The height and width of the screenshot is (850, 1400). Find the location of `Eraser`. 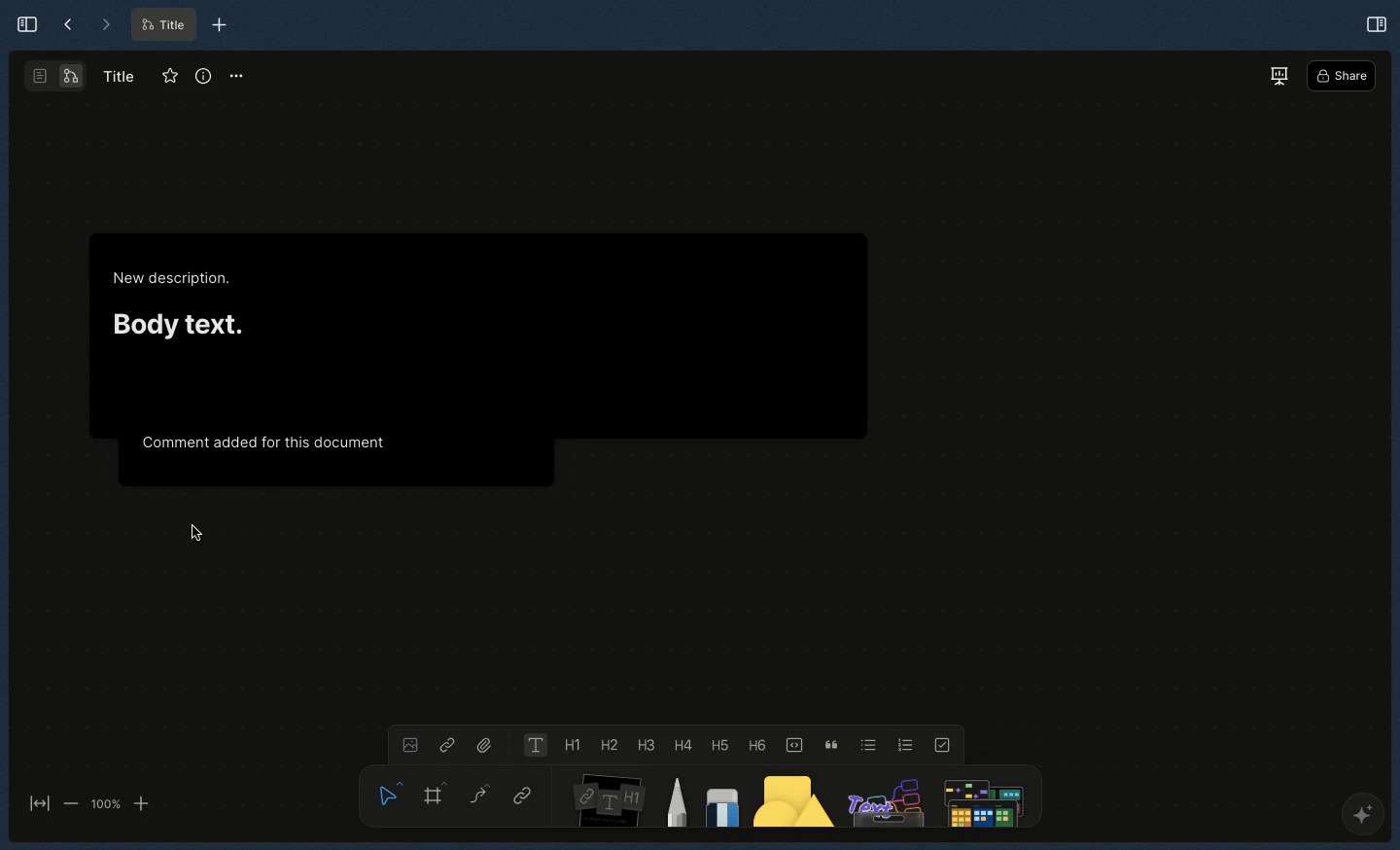

Eraser is located at coordinates (720, 802).